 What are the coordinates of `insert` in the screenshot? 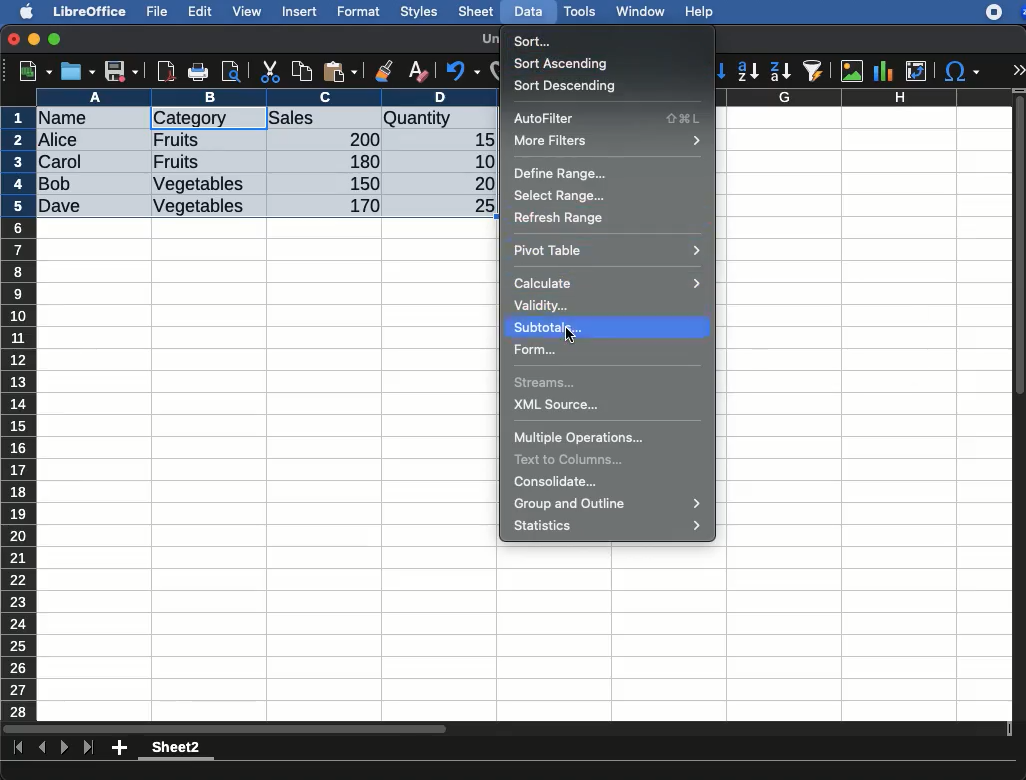 It's located at (300, 11).